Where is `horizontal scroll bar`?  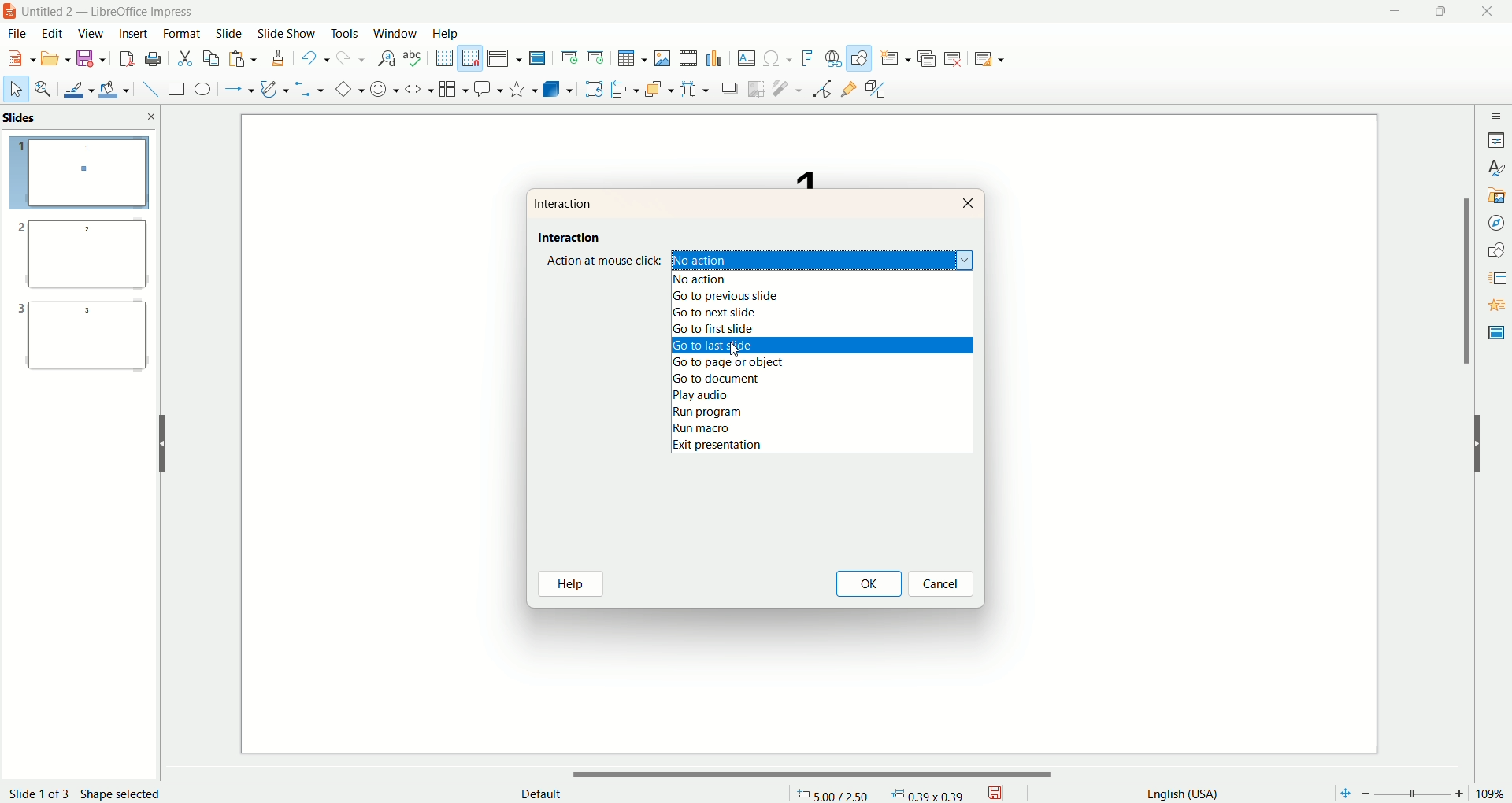 horizontal scroll bar is located at coordinates (818, 775).